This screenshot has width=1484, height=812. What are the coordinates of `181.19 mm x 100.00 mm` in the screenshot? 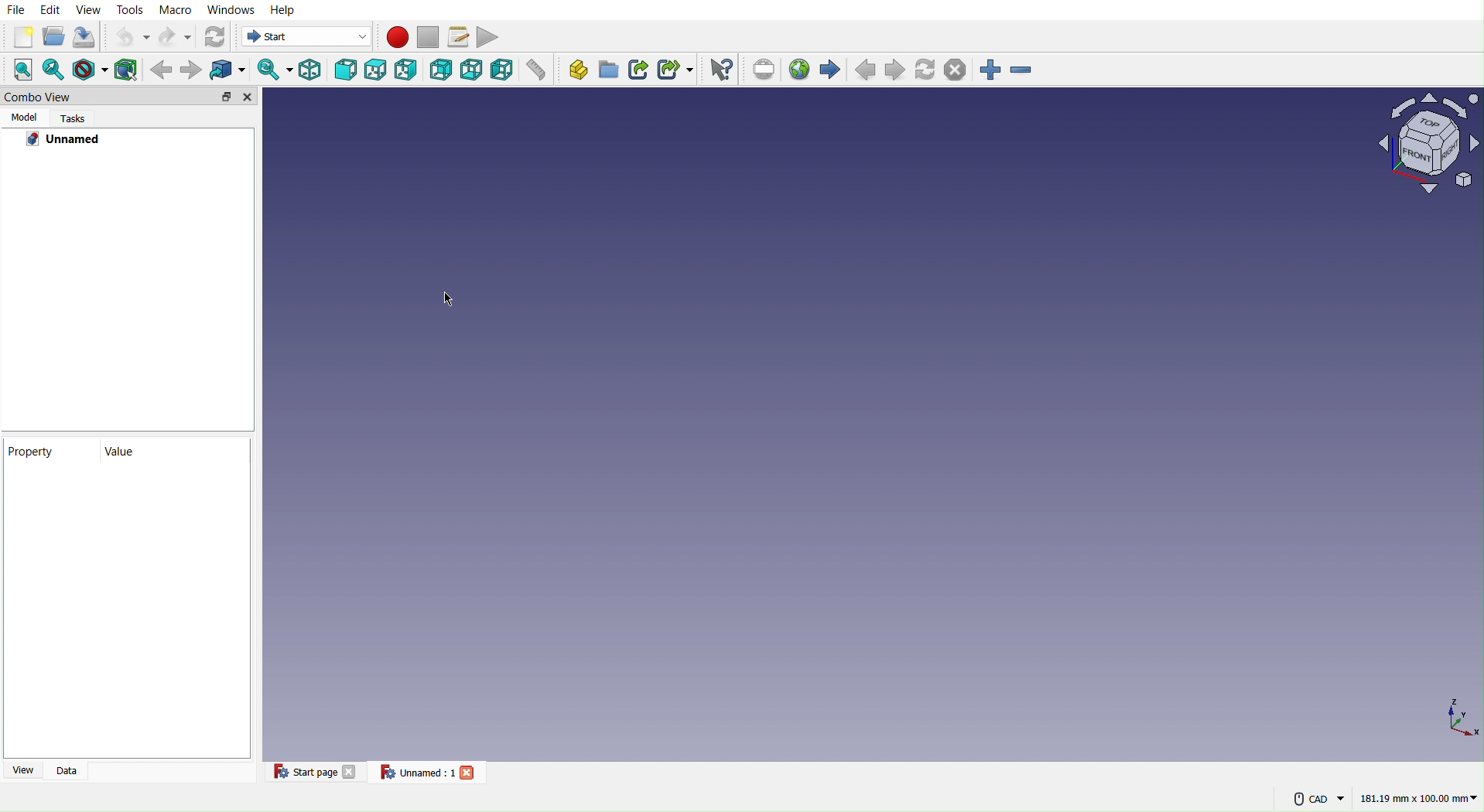 It's located at (1419, 799).